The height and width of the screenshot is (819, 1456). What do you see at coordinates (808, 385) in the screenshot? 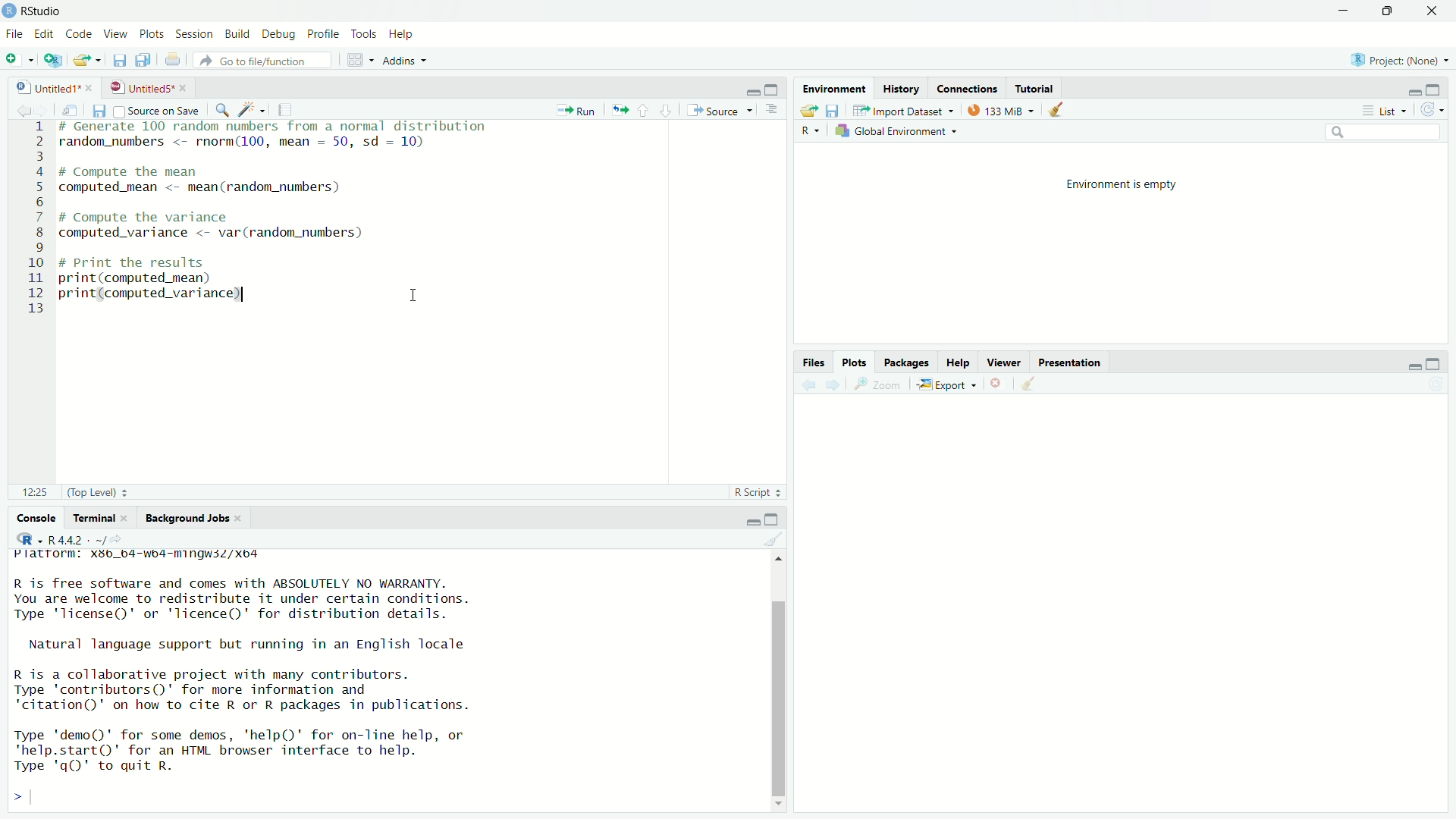
I see `previous plot` at bounding box center [808, 385].